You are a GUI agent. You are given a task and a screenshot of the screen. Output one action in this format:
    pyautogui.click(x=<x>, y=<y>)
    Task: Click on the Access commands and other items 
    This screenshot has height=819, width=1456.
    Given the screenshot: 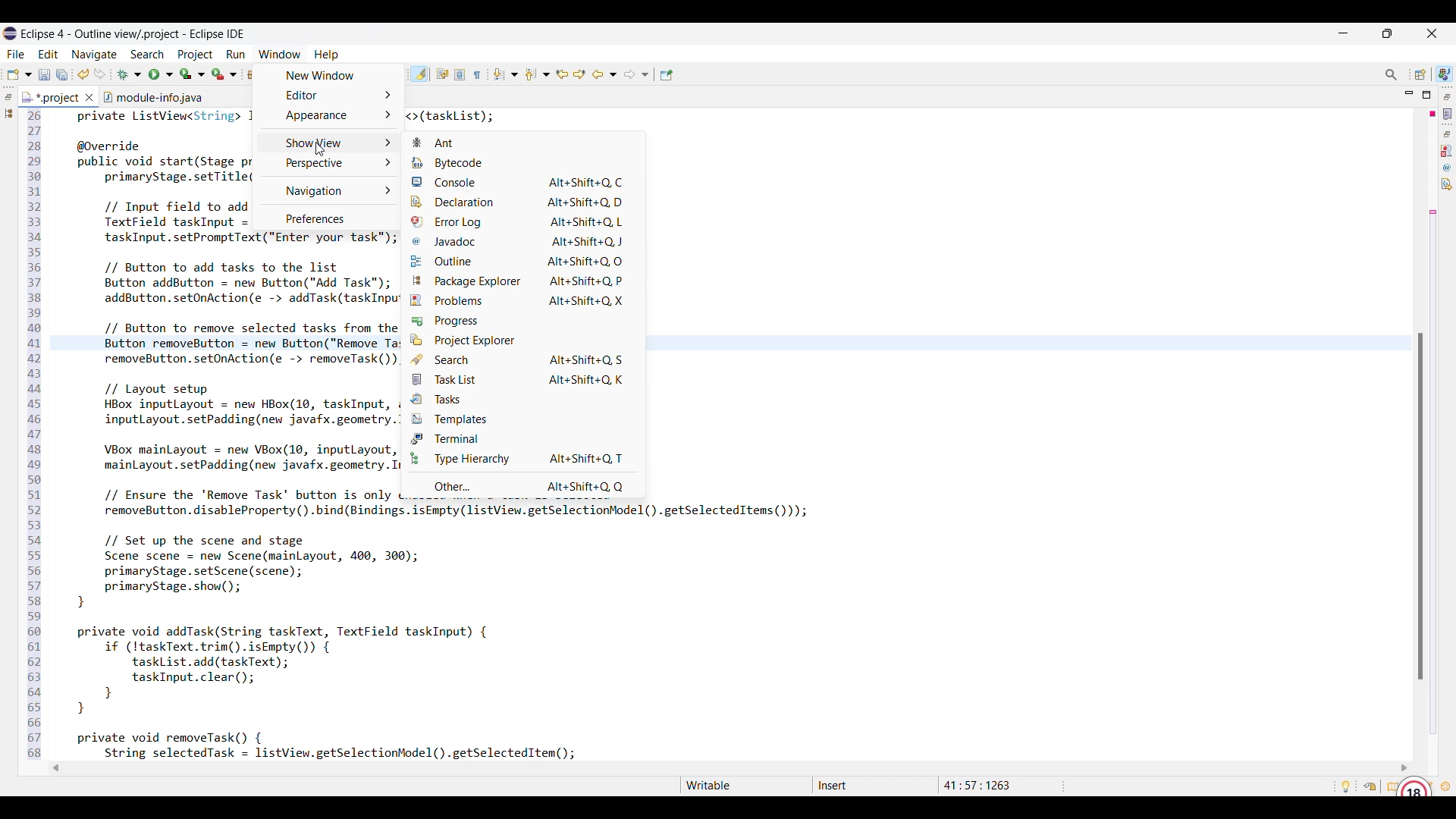 What is the action you would take?
    pyautogui.click(x=1392, y=75)
    